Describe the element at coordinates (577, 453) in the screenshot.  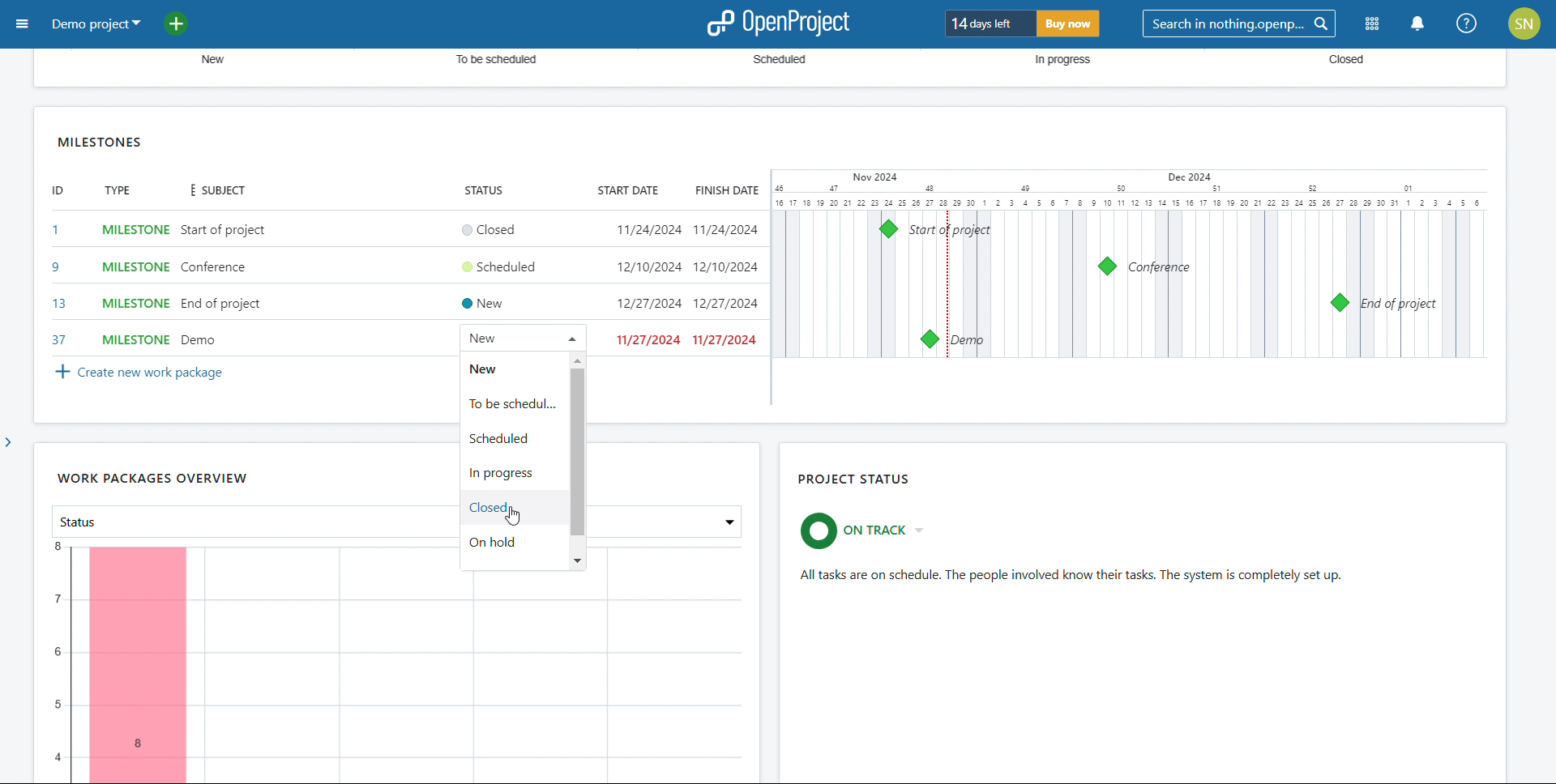
I see `scrollbar` at that location.